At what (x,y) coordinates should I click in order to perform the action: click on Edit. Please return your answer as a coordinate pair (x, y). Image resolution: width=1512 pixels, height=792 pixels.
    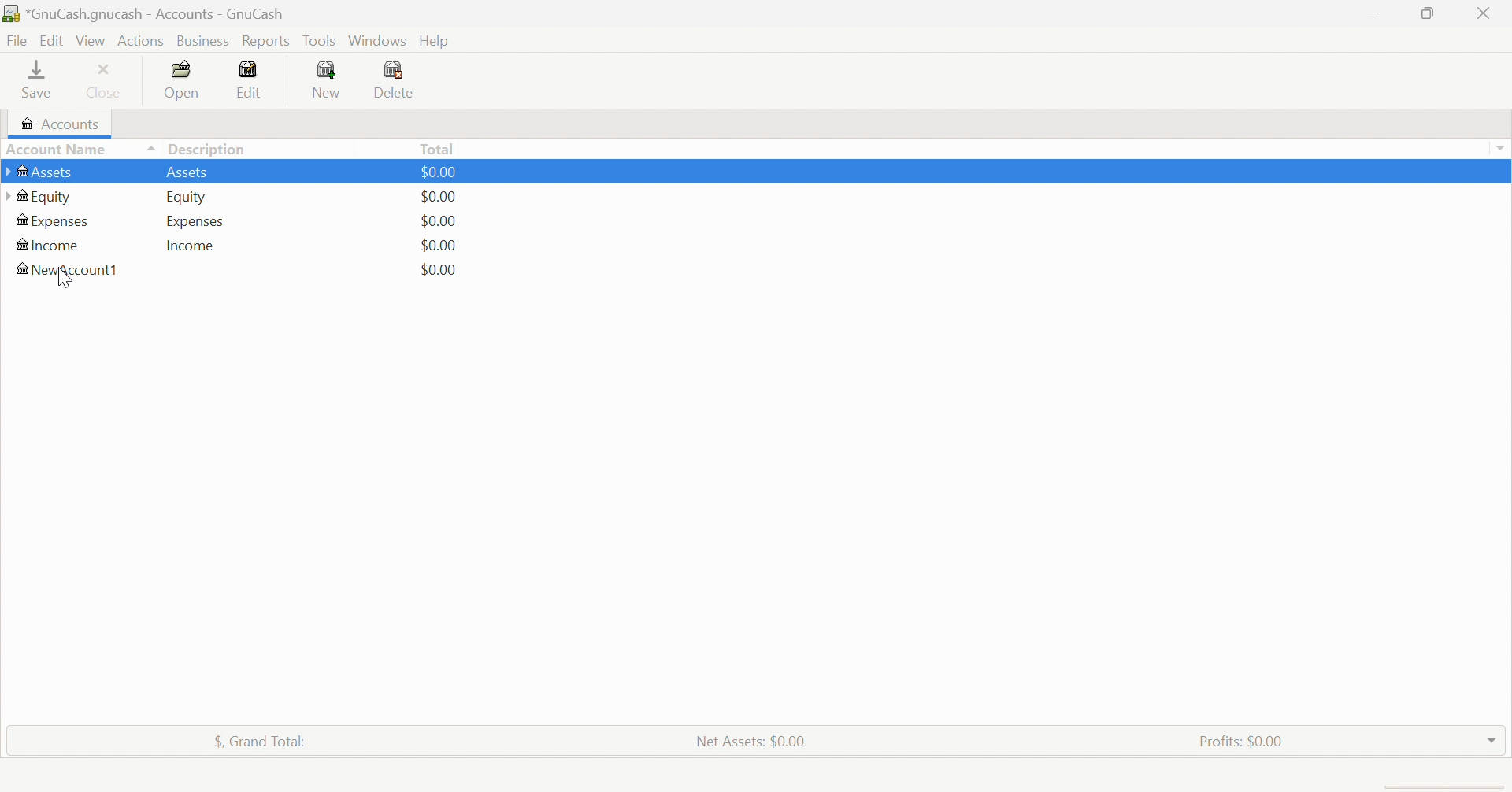
    Looking at the image, I should click on (254, 77).